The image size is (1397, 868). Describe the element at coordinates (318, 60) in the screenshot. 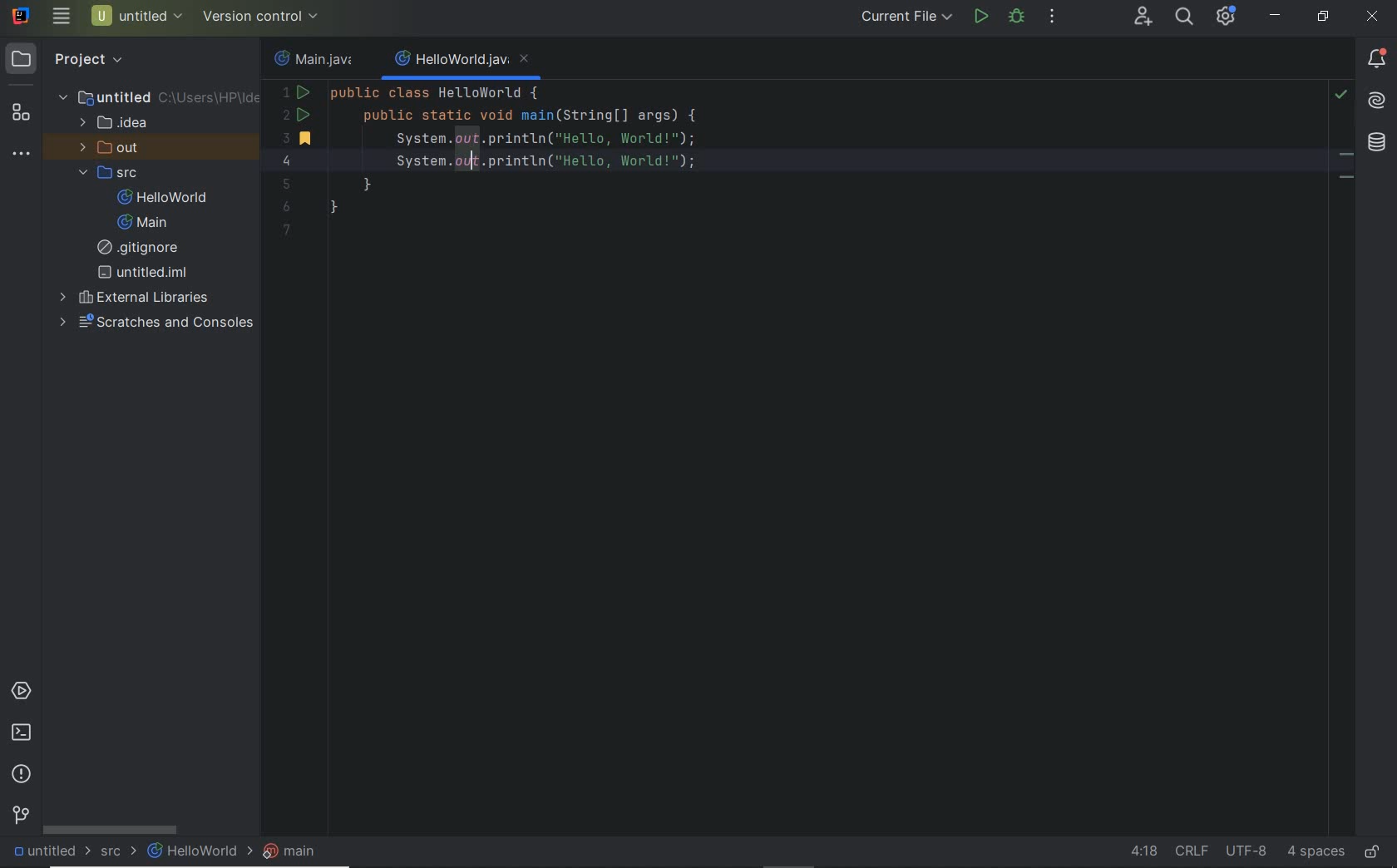

I see `Main java` at that location.